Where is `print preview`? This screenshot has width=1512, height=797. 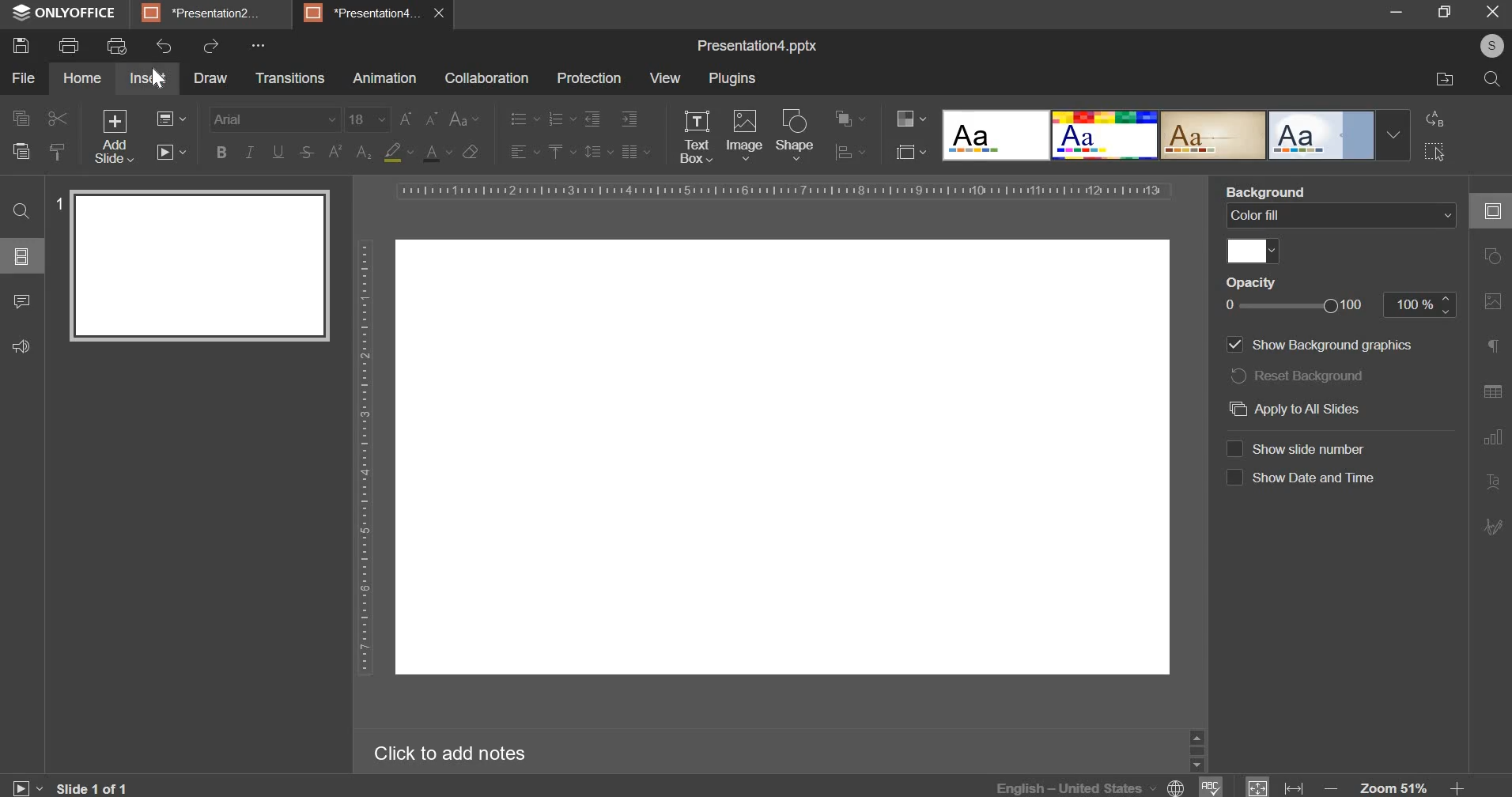 print preview is located at coordinates (117, 47).